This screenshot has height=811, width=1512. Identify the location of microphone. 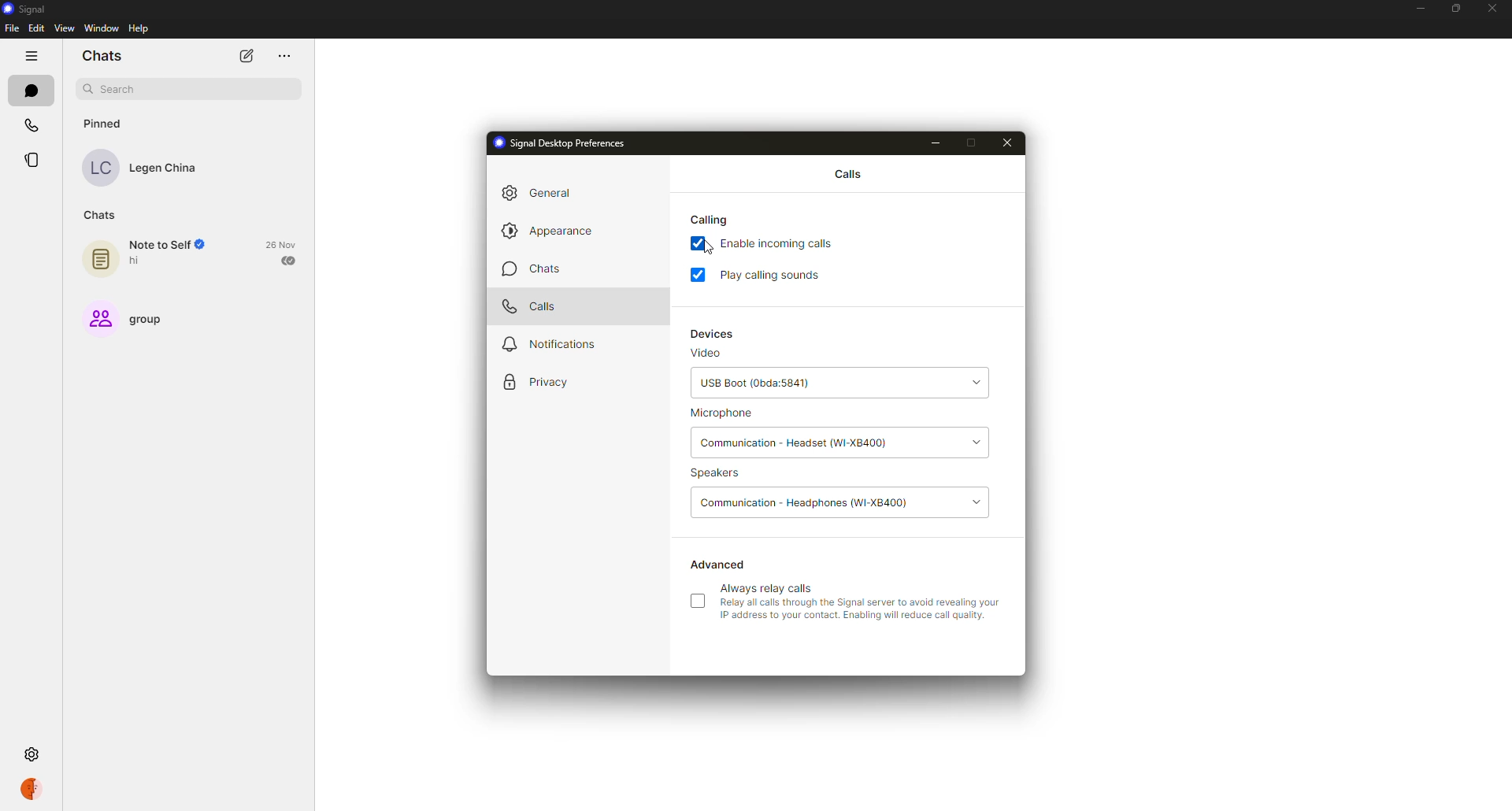
(724, 413).